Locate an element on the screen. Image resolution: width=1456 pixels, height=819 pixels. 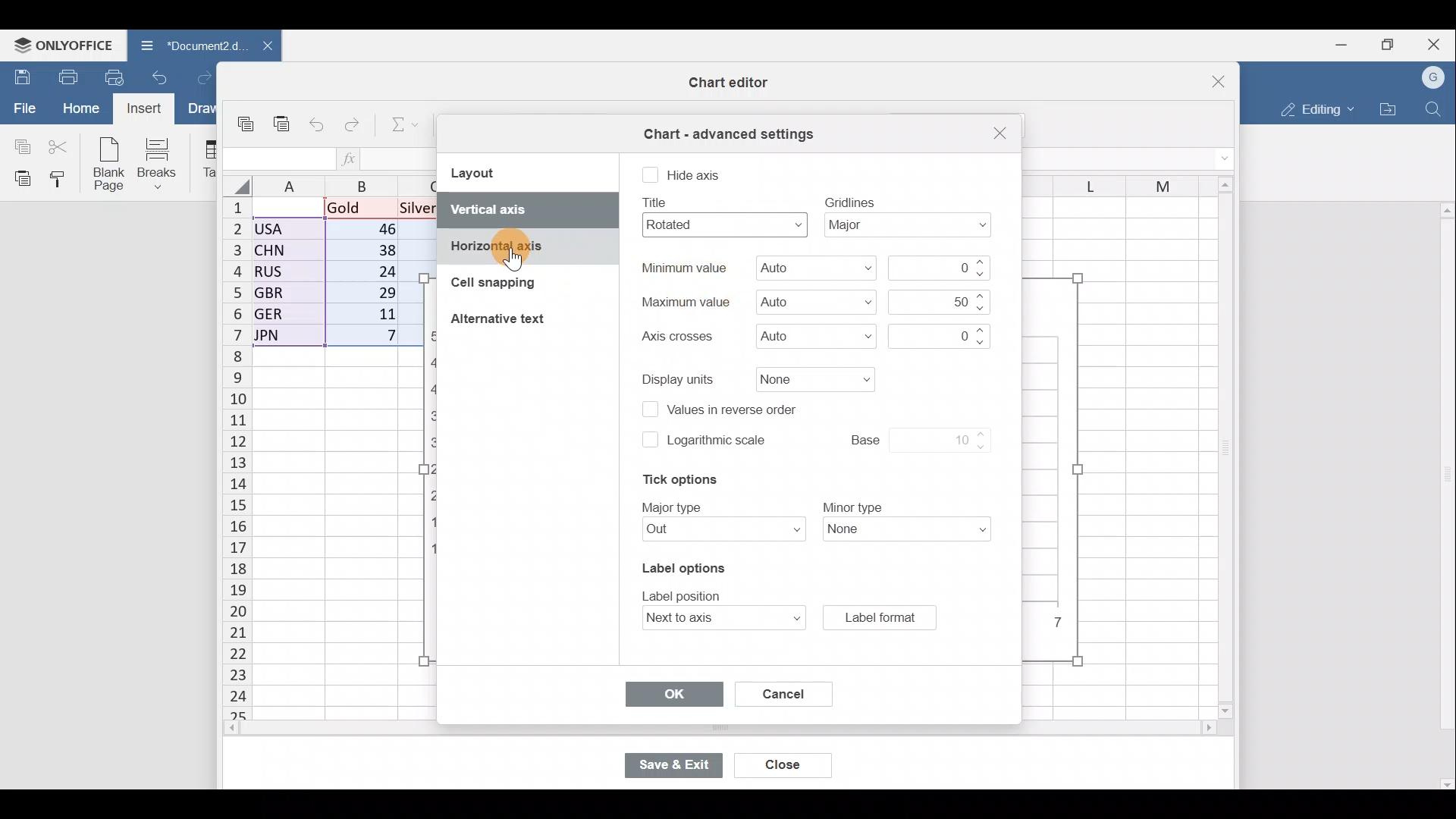
Home is located at coordinates (77, 110).